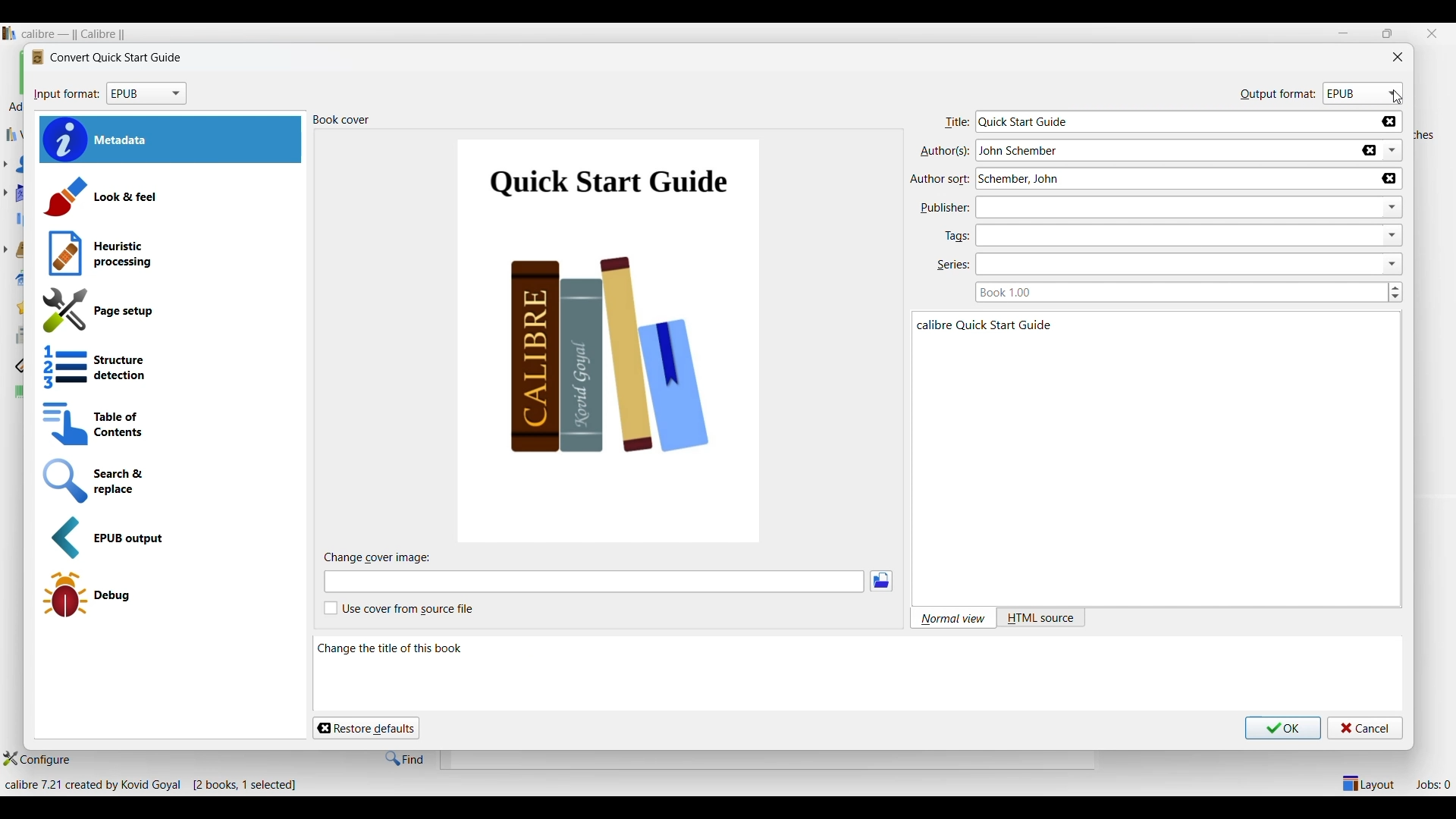  I want to click on Jobs, so click(1432, 785).